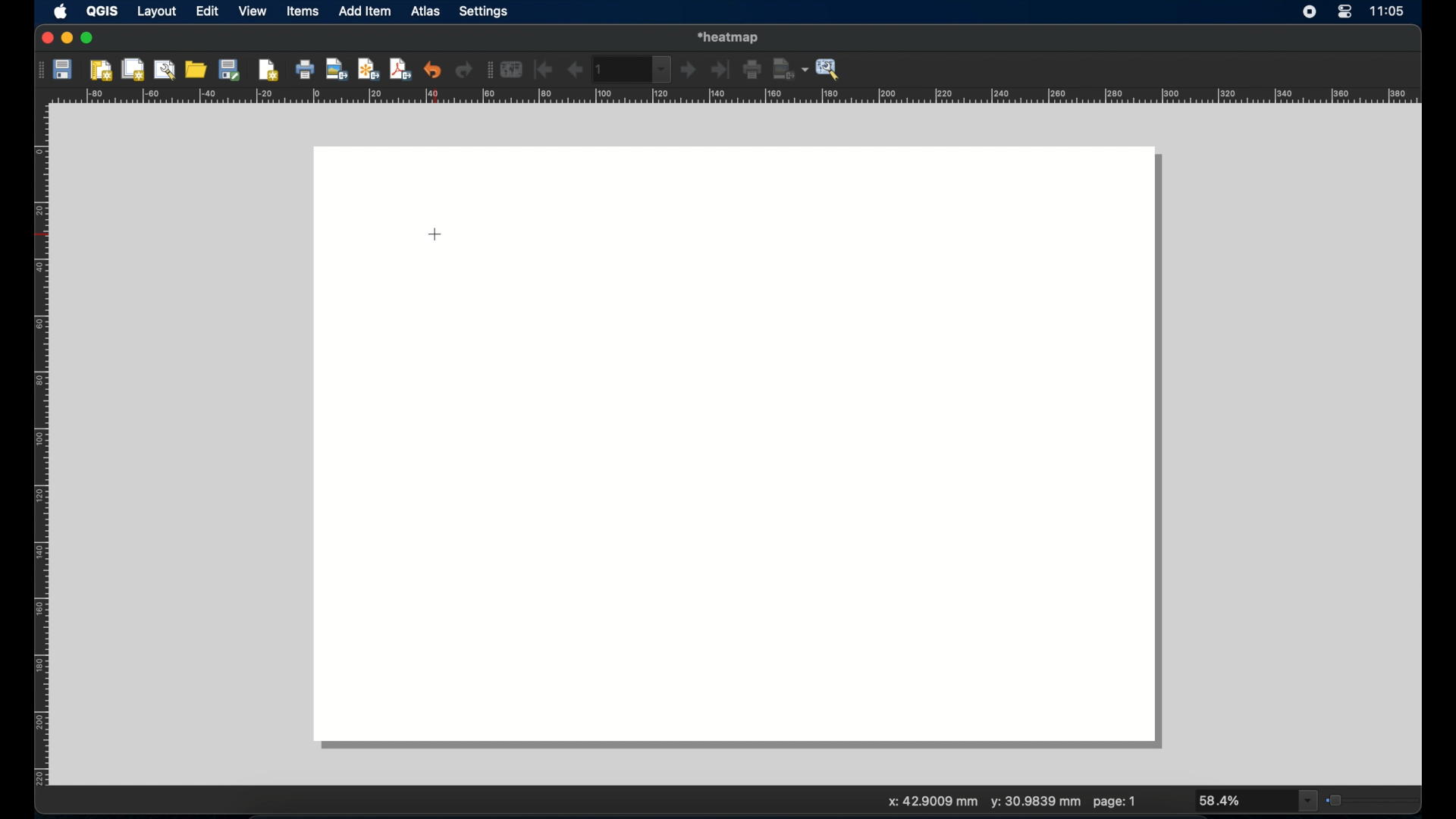 The height and width of the screenshot is (819, 1456). What do you see at coordinates (37, 69) in the screenshot?
I see `drag hadle` at bounding box center [37, 69].